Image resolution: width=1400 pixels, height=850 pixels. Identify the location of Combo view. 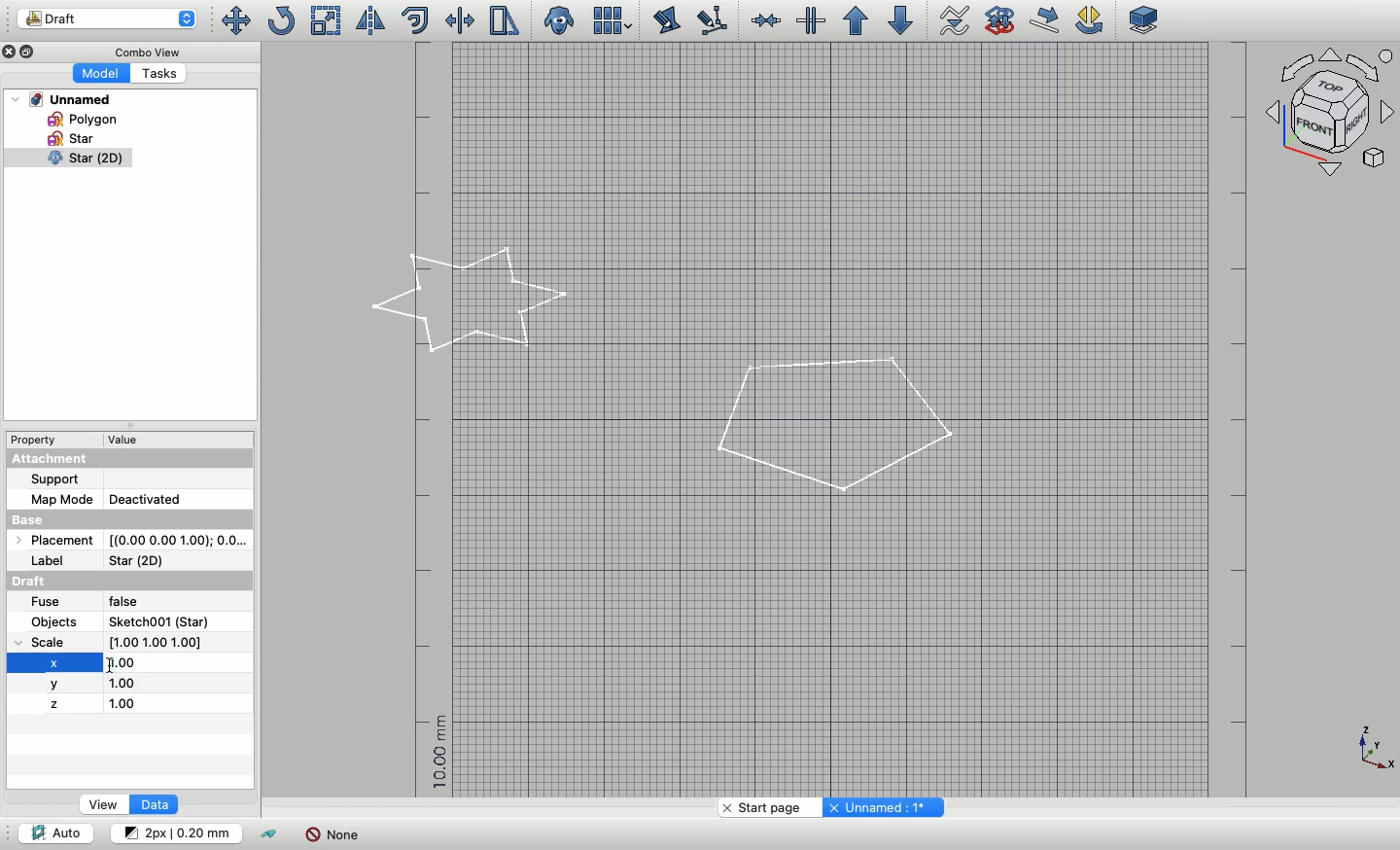
(144, 51).